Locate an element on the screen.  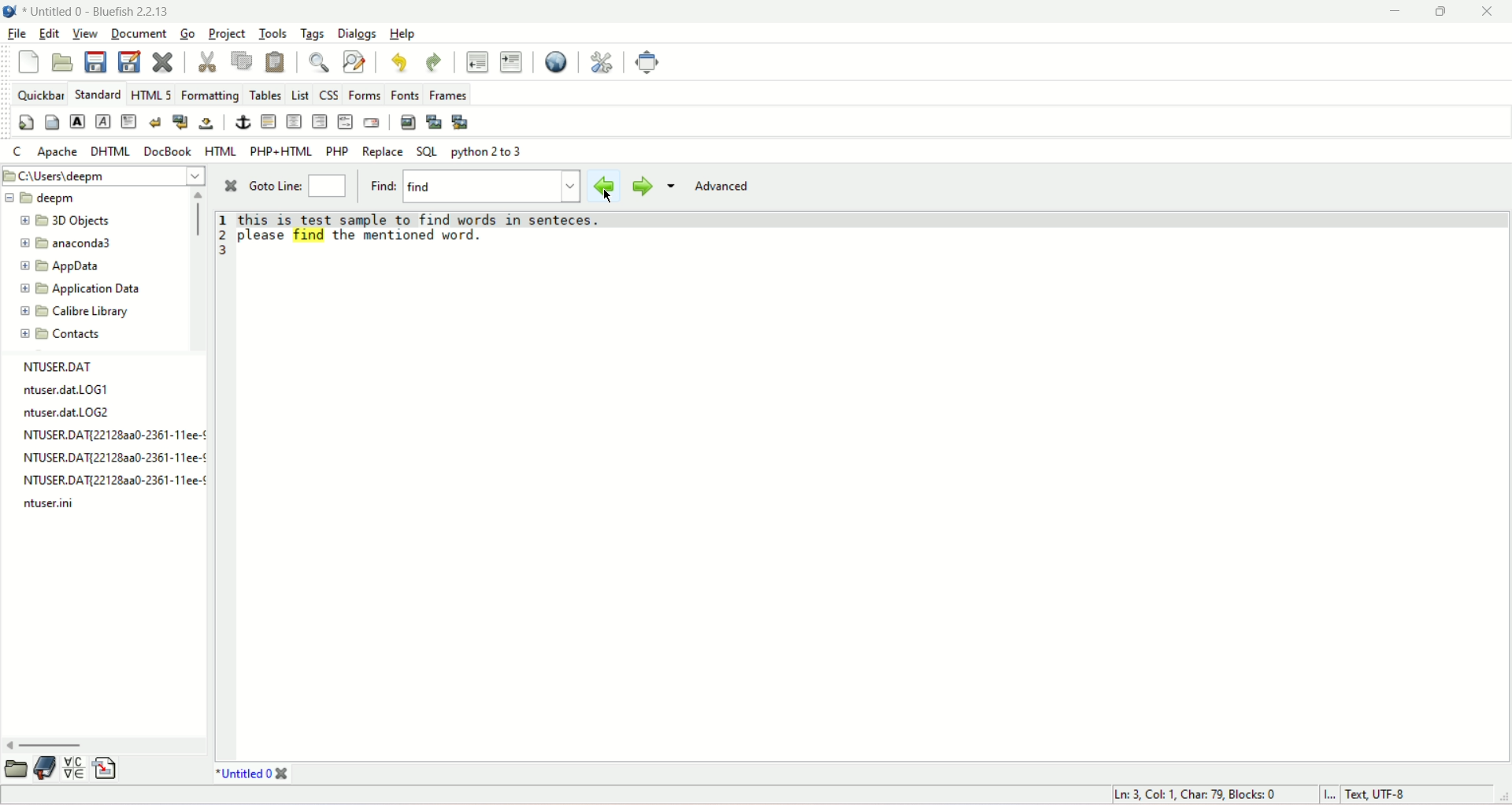
go is located at coordinates (186, 34).